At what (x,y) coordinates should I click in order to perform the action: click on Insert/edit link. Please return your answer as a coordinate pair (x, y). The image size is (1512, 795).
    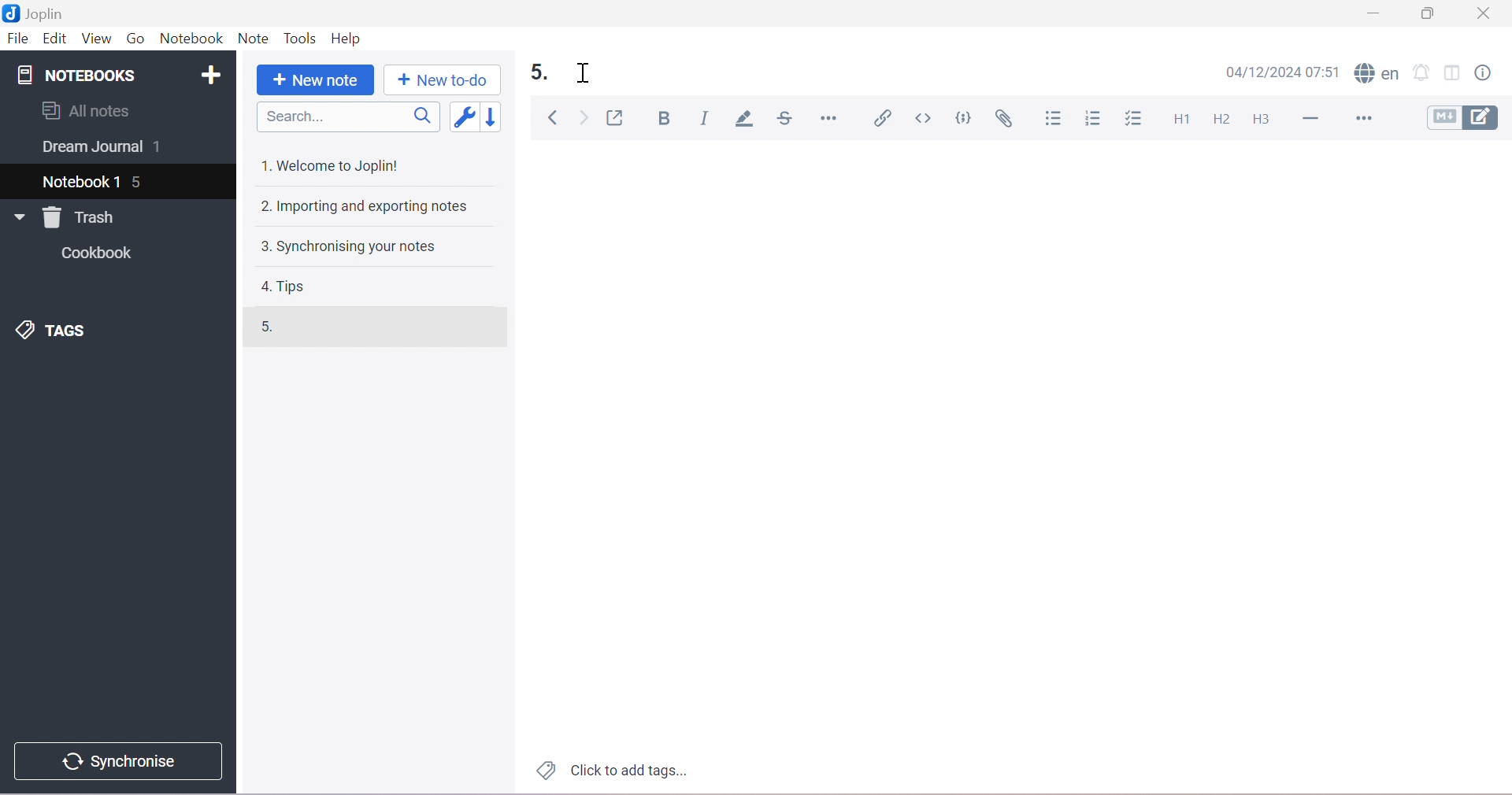
    Looking at the image, I should click on (882, 117).